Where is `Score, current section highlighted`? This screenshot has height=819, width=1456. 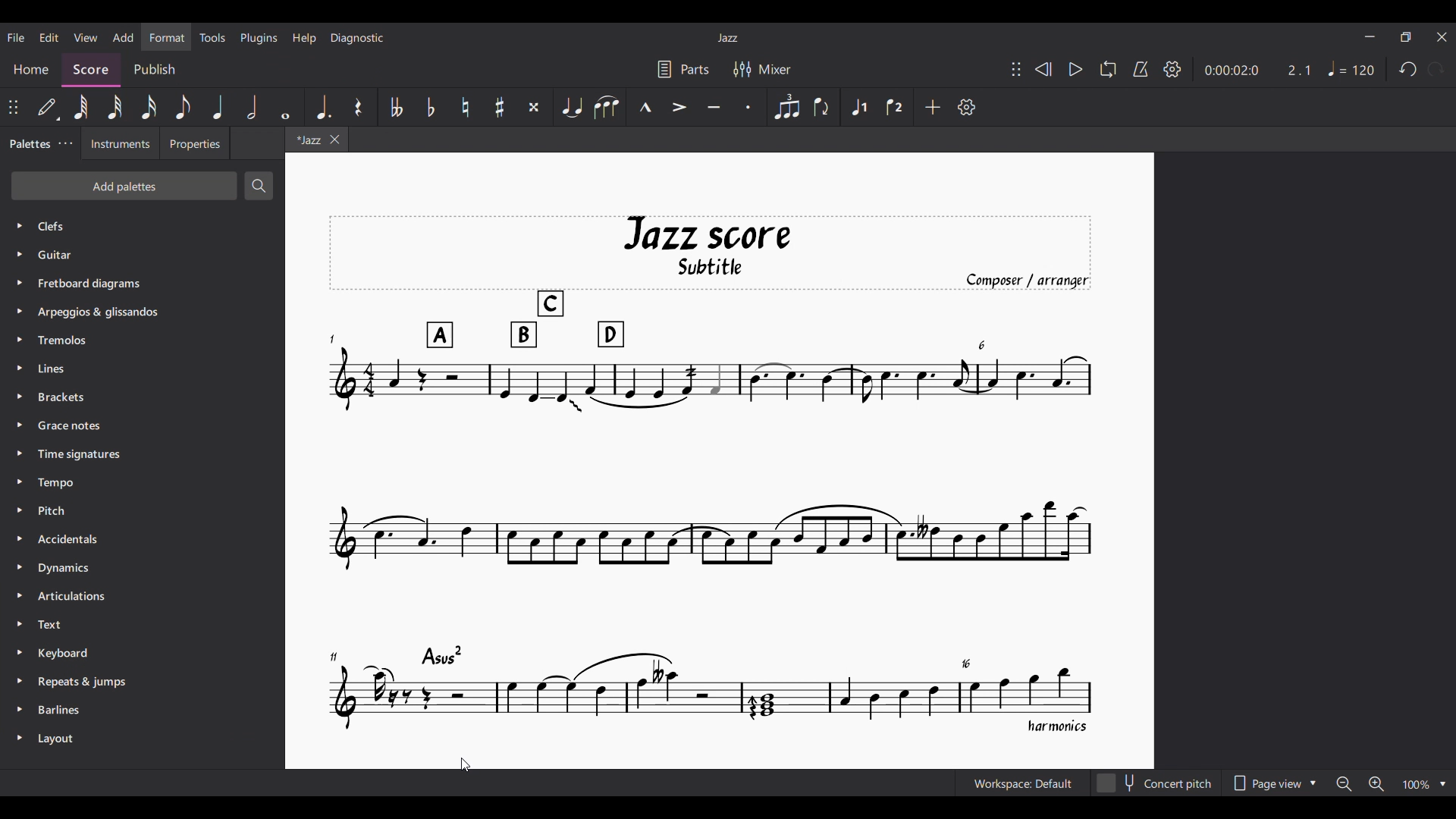 Score, current section highlighted is located at coordinates (91, 66).